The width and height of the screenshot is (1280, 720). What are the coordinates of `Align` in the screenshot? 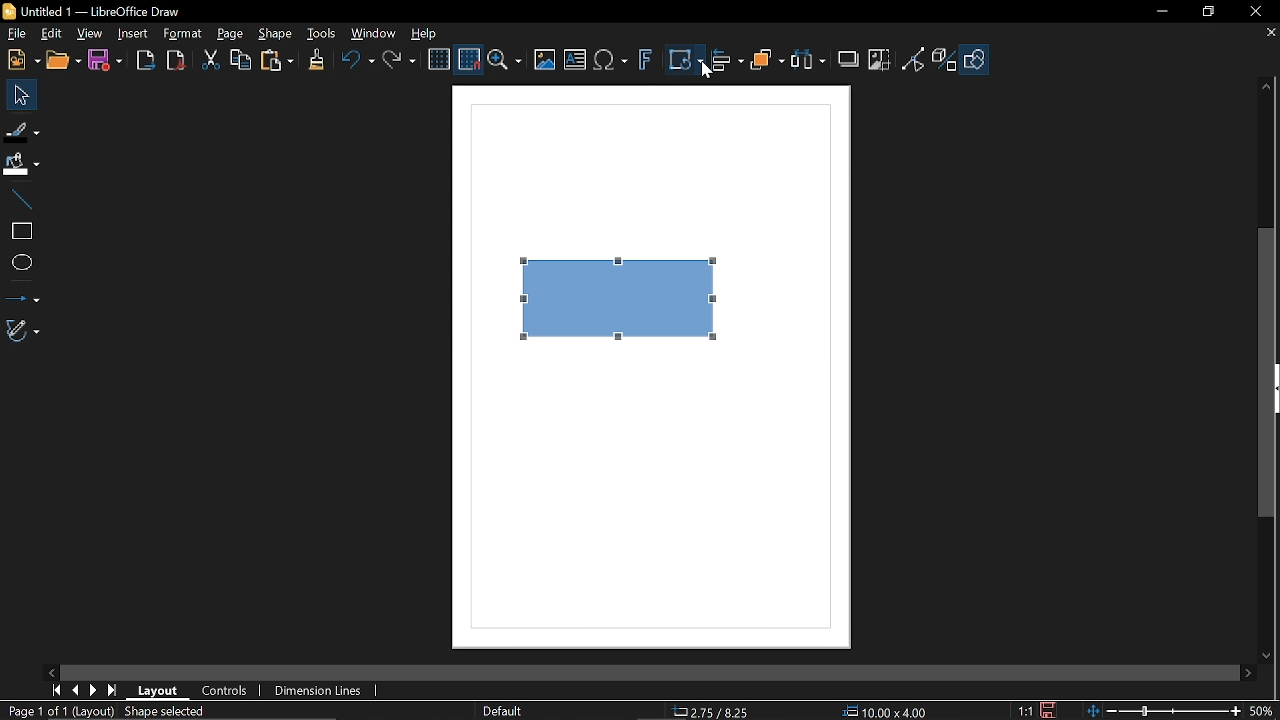 It's located at (728, 63).